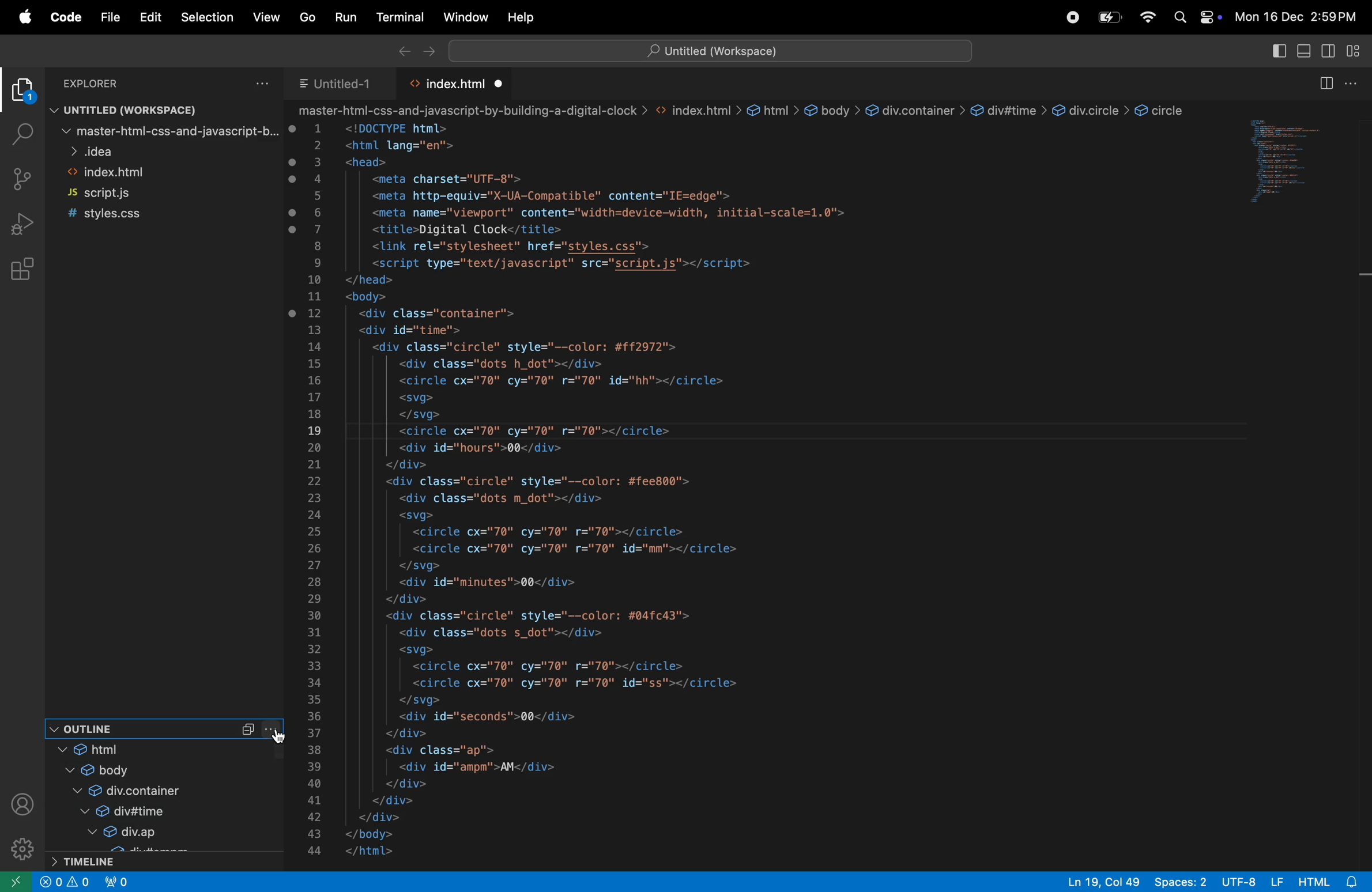 Image resolution: width=1372 pixels, height=892 pixels. I want to click on <html lang="en">
<head>
<meta charset="UTF-8">
<meta http-equiv="X-UA-Compatible" content="IE=edge">
<meta name="viewport" content="width=device-width, initial-scale=1.0">
<title>Digital Clock</title>
<link rel="stylesheet" href="styles.css">
<script type="text/javascript" src="script.js"></script>
</head>
<body>
<div class="container">
<div id="time">
<div class="circle" style="--color: #ff2972">
<div class="dots h_dot"></div>
<circle cx="70" cy="70" r="70" id="hh"></circle>
<svg>
</svg>
<circle cx="70" cy="70" r="70"></circle>
<div id="hours">00</div>
</div>
<div class="circle" style="--color: #fee800">
<div class="dots m_dot"></div>
<svg>
<circle cx="70" cy="70" r="70"></circle>
<circle cx="70" cy="70" r="70" id="mm"></circle>
</svg>
<div id="minutes">00</div>
</div>
<div class="circle" style="--color: #04fc43">
<div class="dots s_dot"></div>
<svg>
<circle cx="70" cy="70" r="70"></circle>
<circle cx="70" cy="70" r="70" id="ss"></circle>
</svg>
<div id="seconds">00</div>
</div>
<div class="ap">
<div id="ampm">AM</div>
</div>
</div>
</div>
</body>
</html>, so click(612, 494).